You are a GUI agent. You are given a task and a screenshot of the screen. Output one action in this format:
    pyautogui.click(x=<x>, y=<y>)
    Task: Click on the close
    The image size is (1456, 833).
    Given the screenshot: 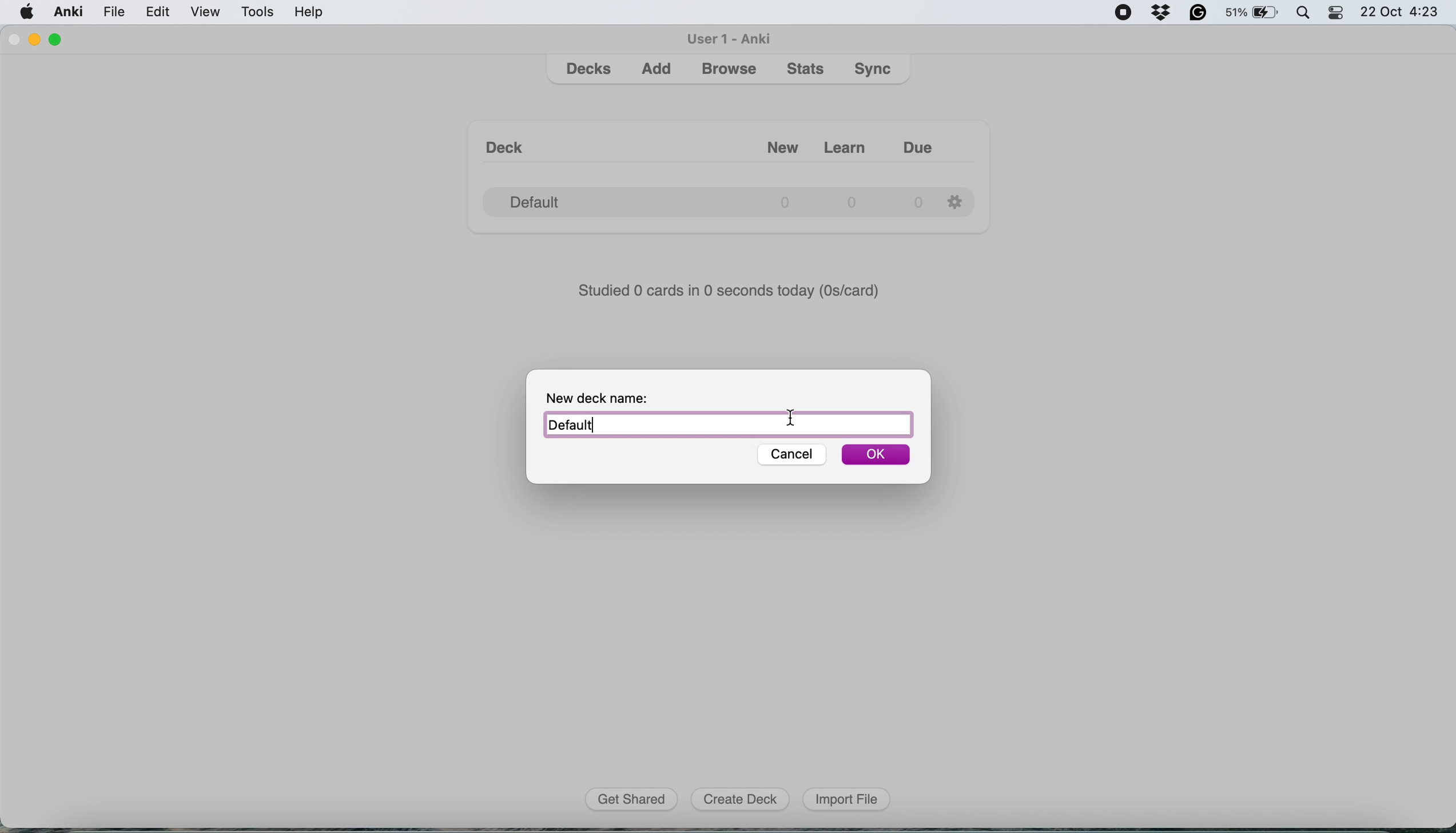 What is the action you would take?
    pyautogui.click(x=15, y=41)
    